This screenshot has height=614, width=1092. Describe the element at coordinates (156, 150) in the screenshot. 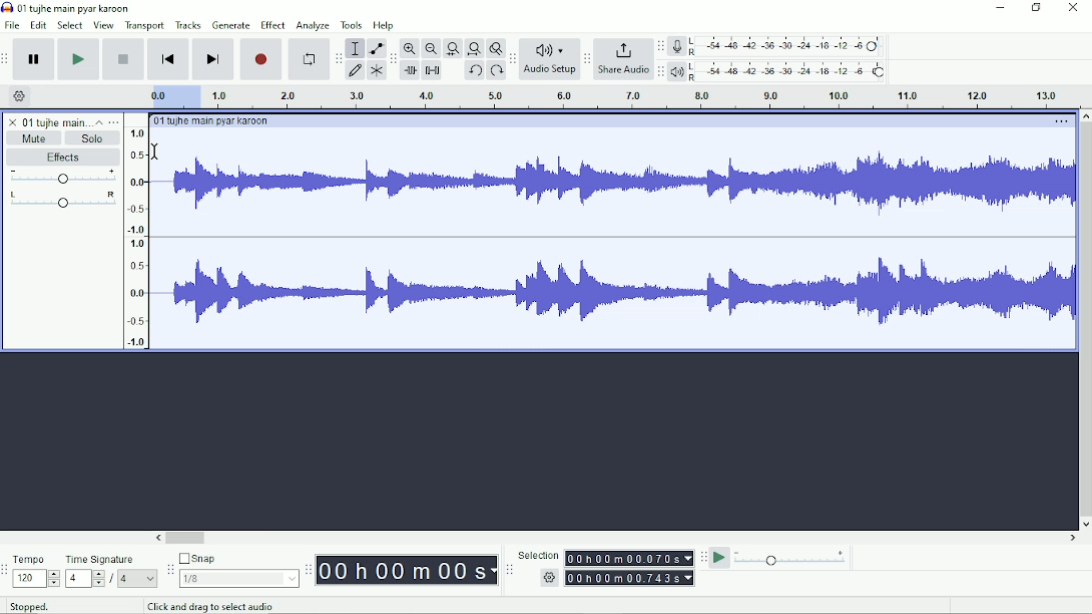

I see `Cursor` at that location.